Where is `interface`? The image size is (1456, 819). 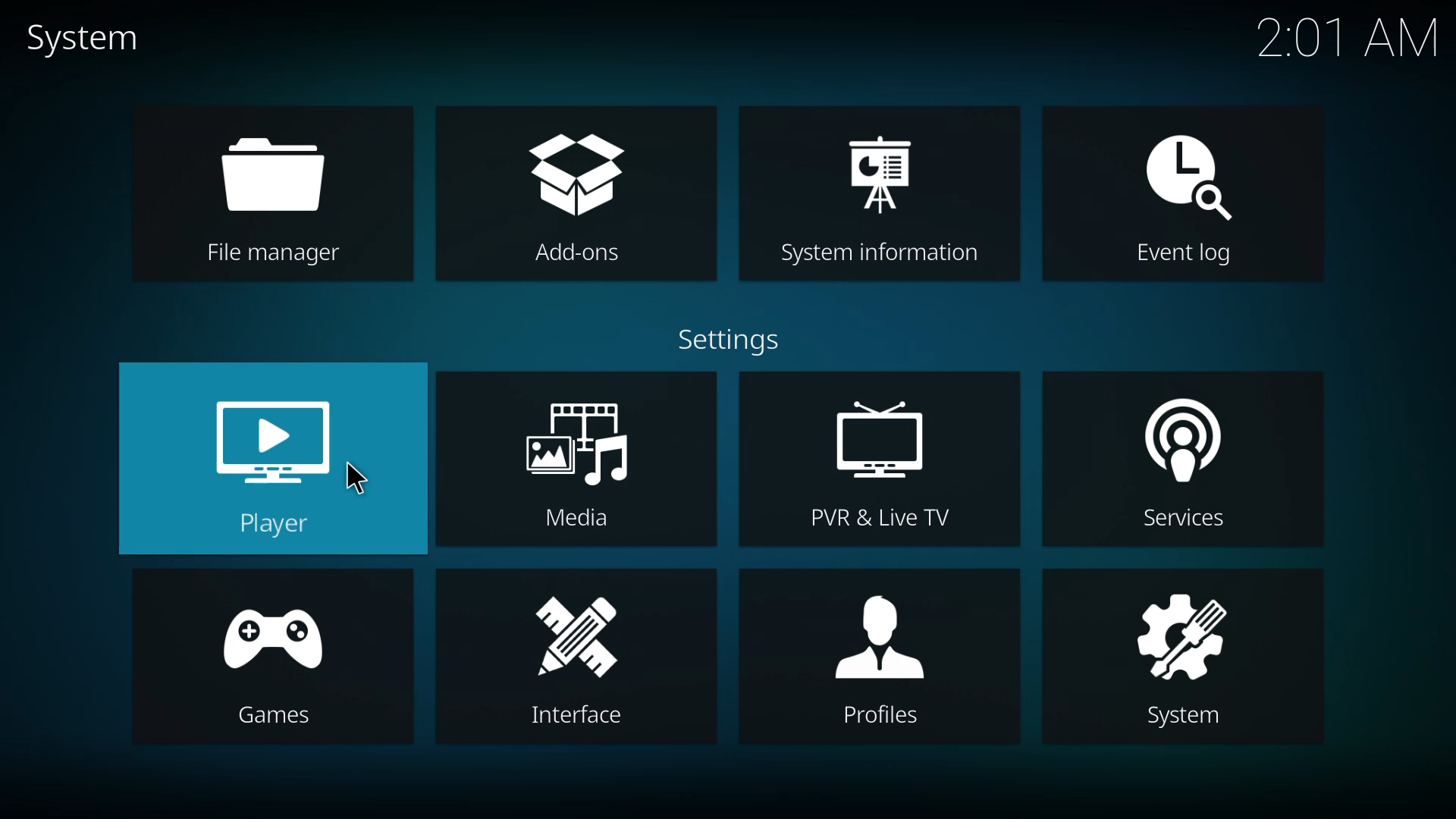
interface is located at coordinates (574, 656).